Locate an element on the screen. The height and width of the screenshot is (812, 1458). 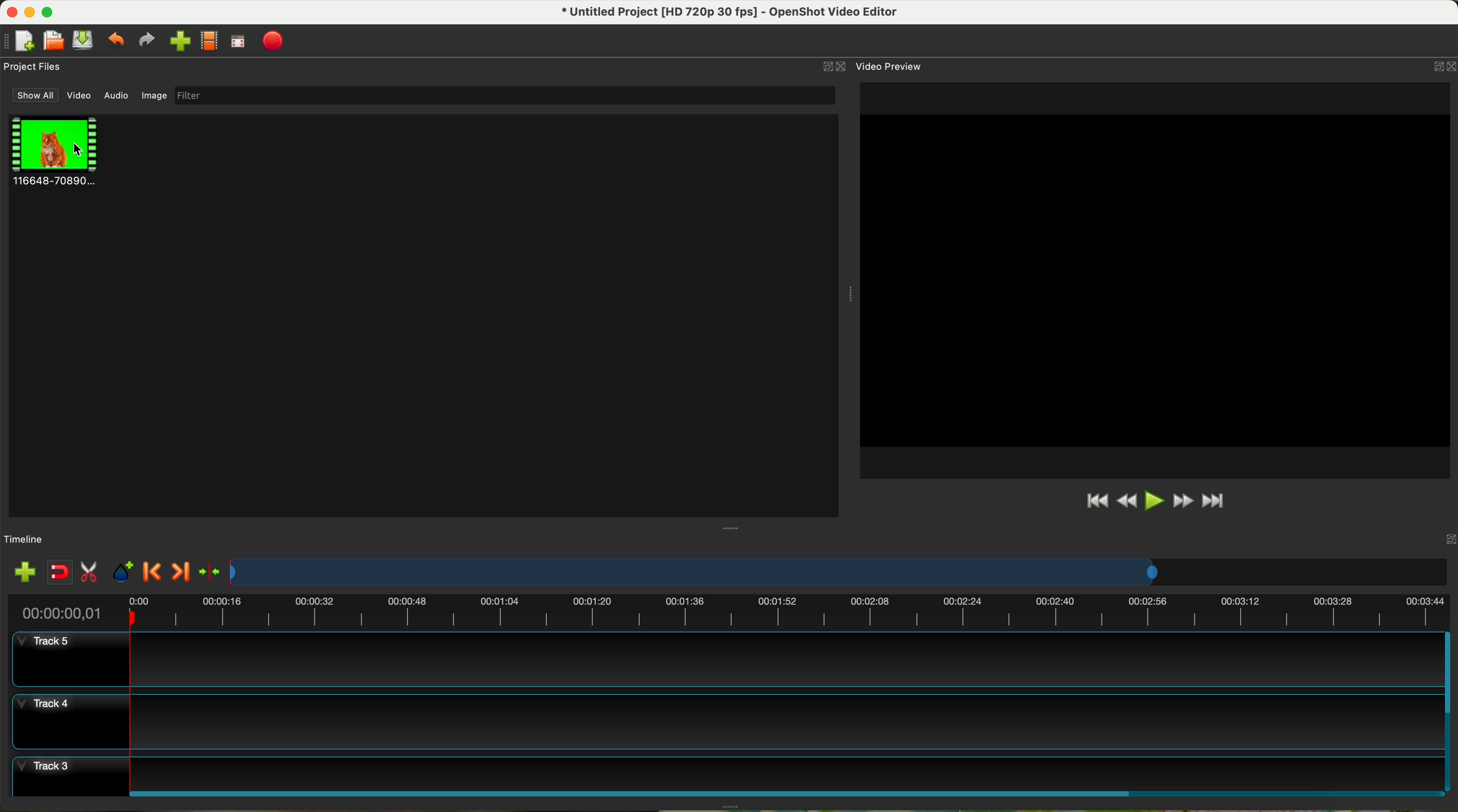
close is located at coordinates (835, 67).